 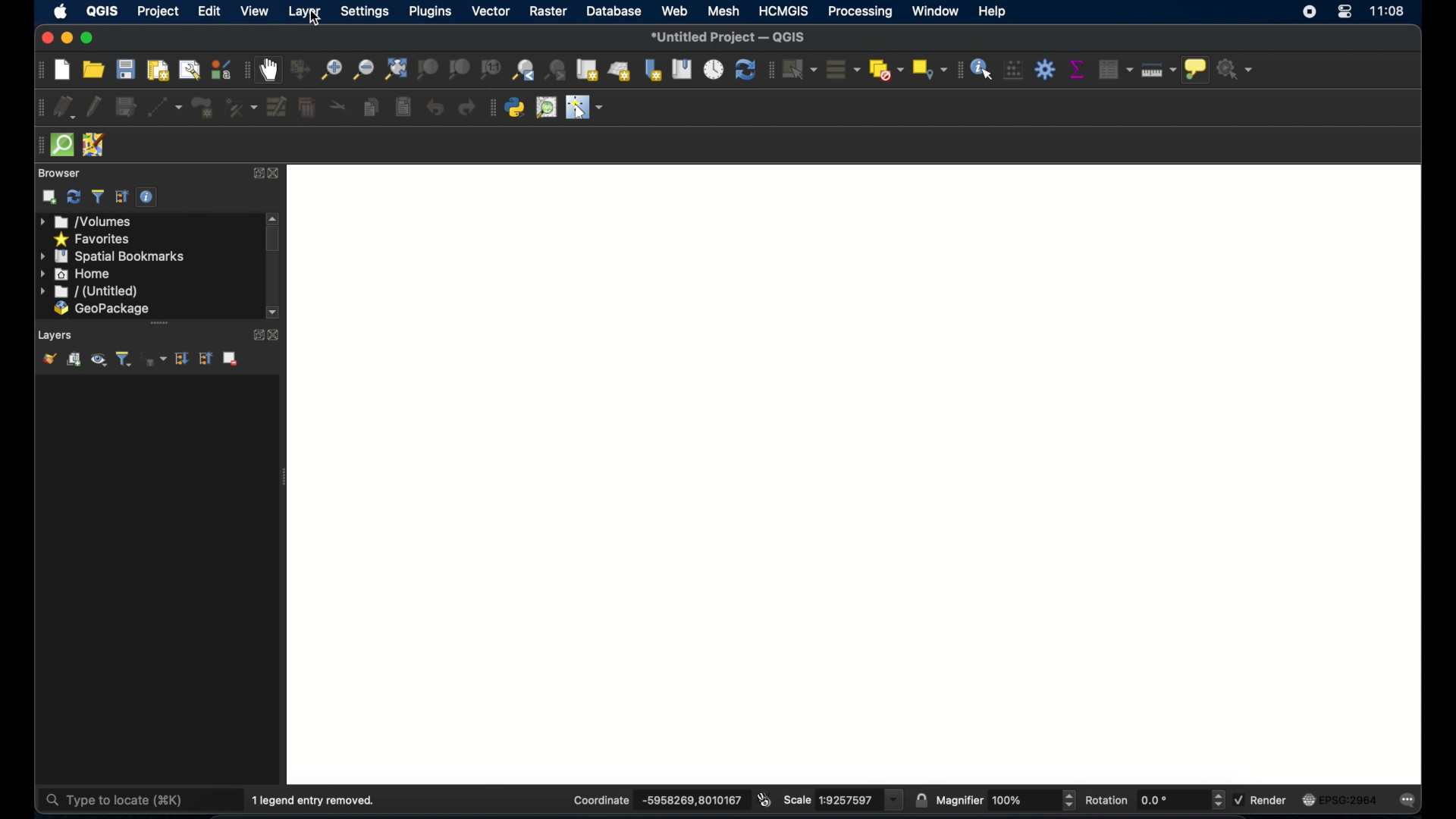 I want to click on project, so click(x=158, y=11).